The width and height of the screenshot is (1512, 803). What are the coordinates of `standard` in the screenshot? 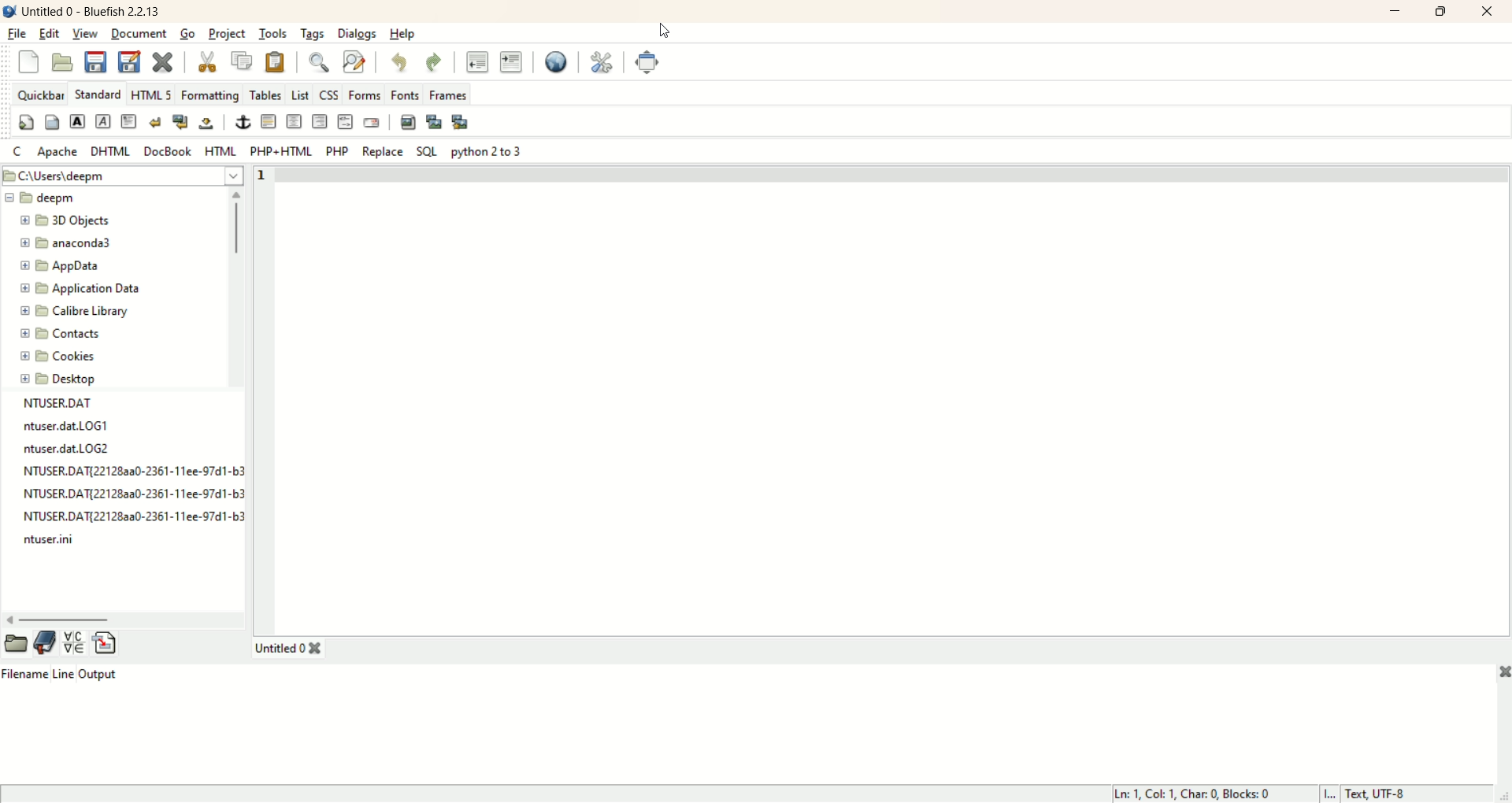 It's located at (98, 94).